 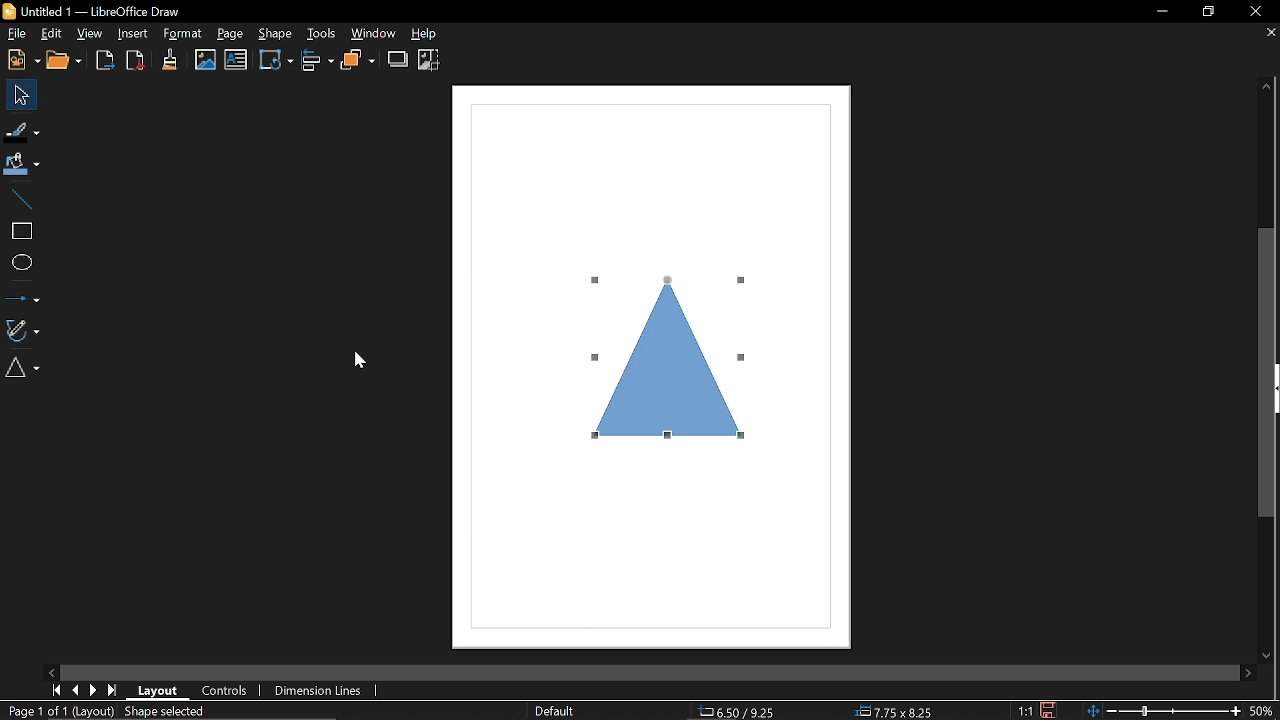 I want to click on Curves and polygons, so click(x=21, y=328).